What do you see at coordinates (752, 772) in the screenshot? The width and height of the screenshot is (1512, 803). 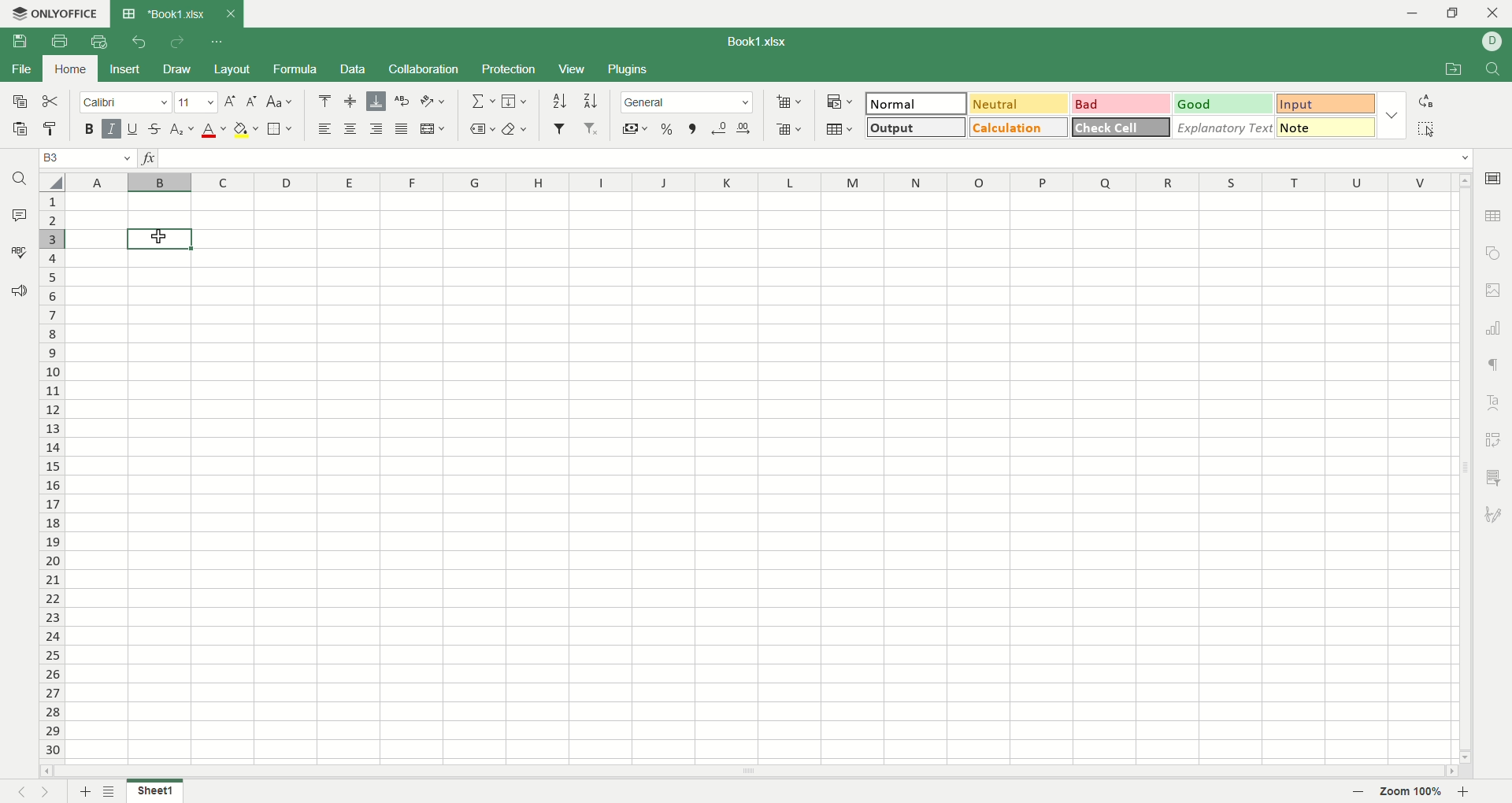 I see `horizontal scroll bar` at bounding box center [752, 772].